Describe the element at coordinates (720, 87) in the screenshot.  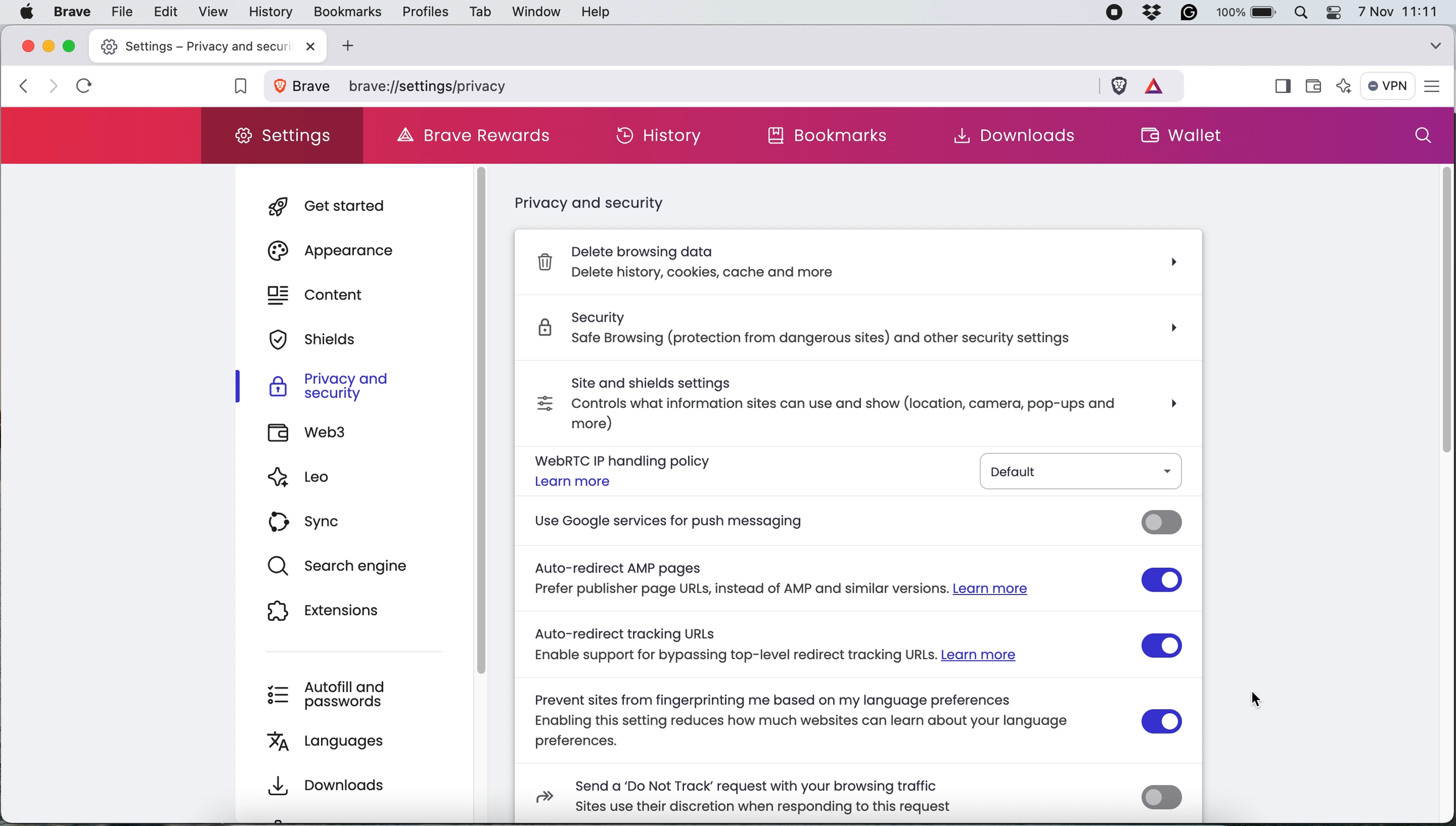
I see `brave privacy settings path` at that location.